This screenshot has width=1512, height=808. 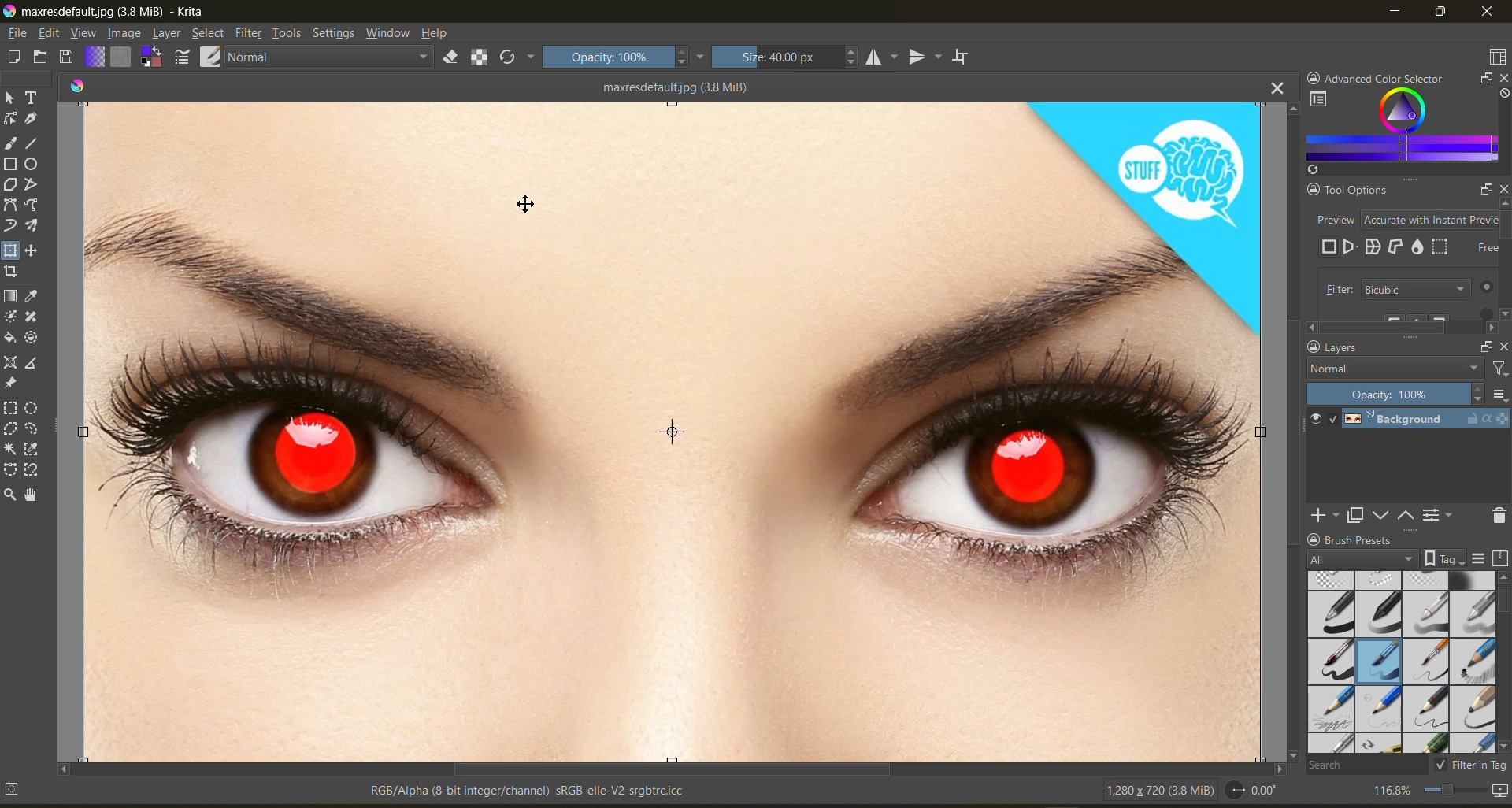 What do you see at coordinates (1503, 598) in the screenshot?
I see `vertical scroll bar` at bounding box center [1503, 598].